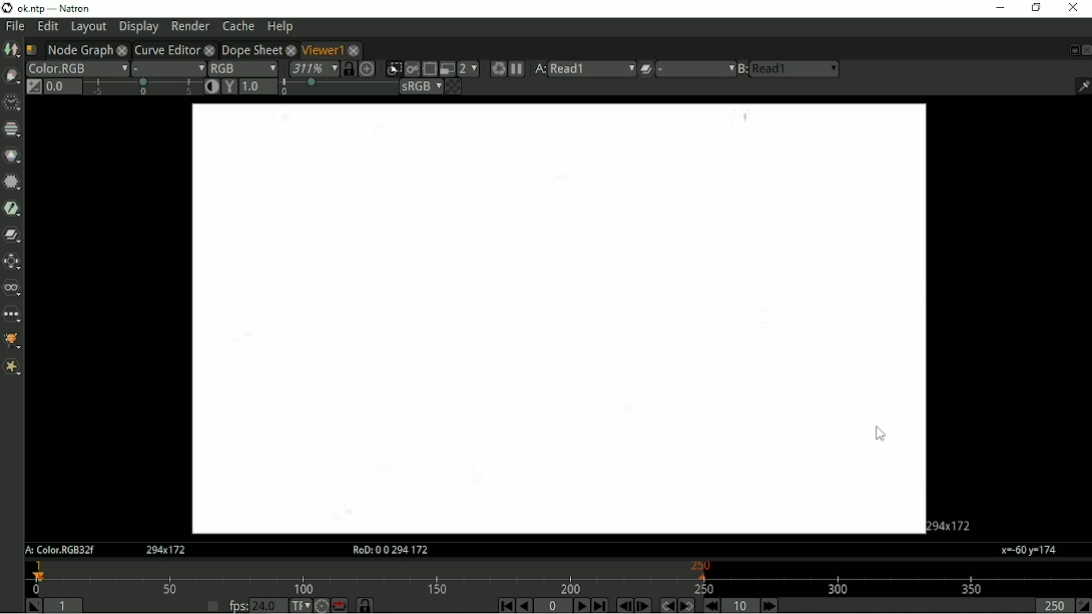 Image resolution: width=1092 pixels, height=614 pixels. Describe the element at coordinates (555, 319) in the screenshot. I see `Project` at that location.